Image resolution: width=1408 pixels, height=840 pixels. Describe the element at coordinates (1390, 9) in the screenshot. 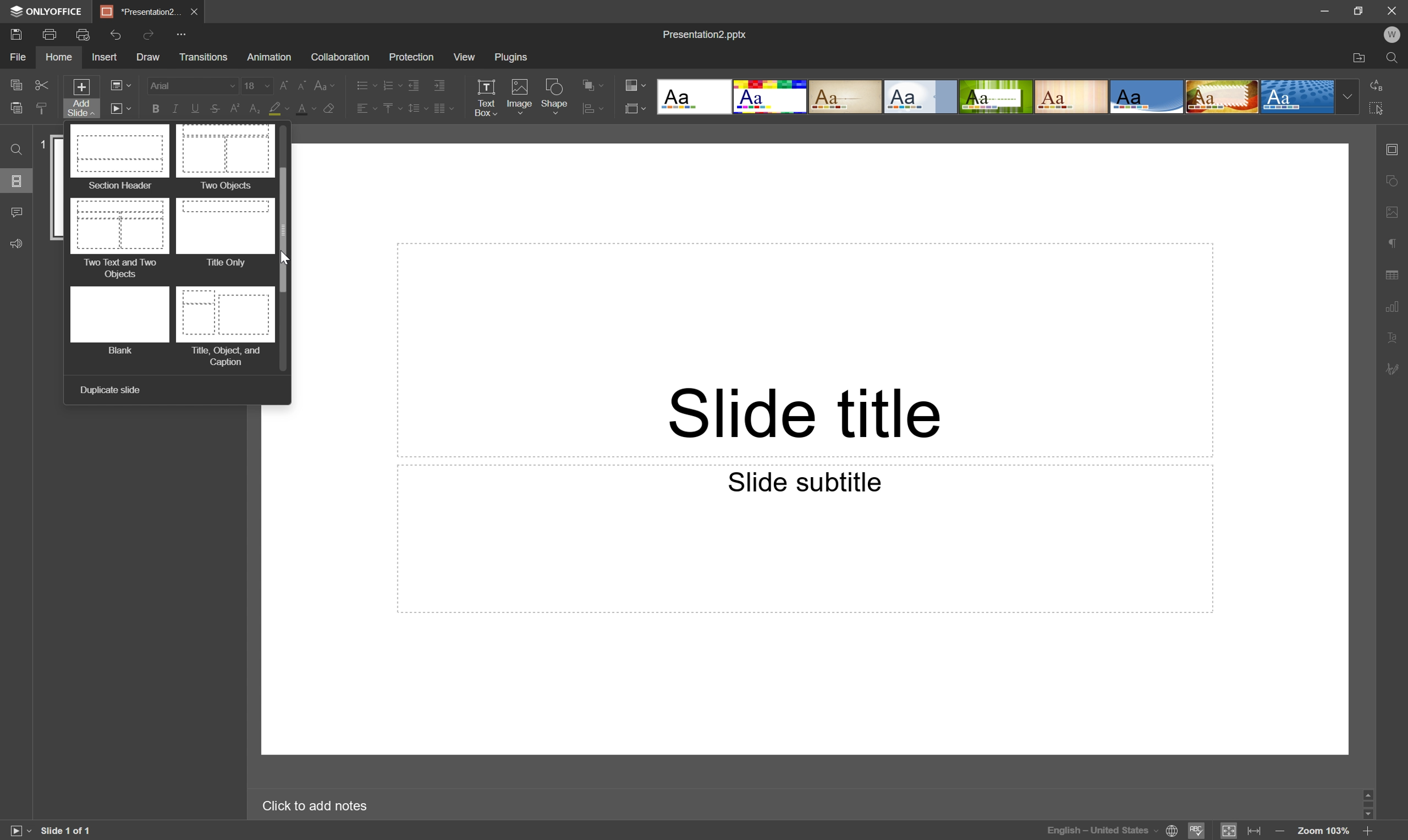

I see `Close` at that location.